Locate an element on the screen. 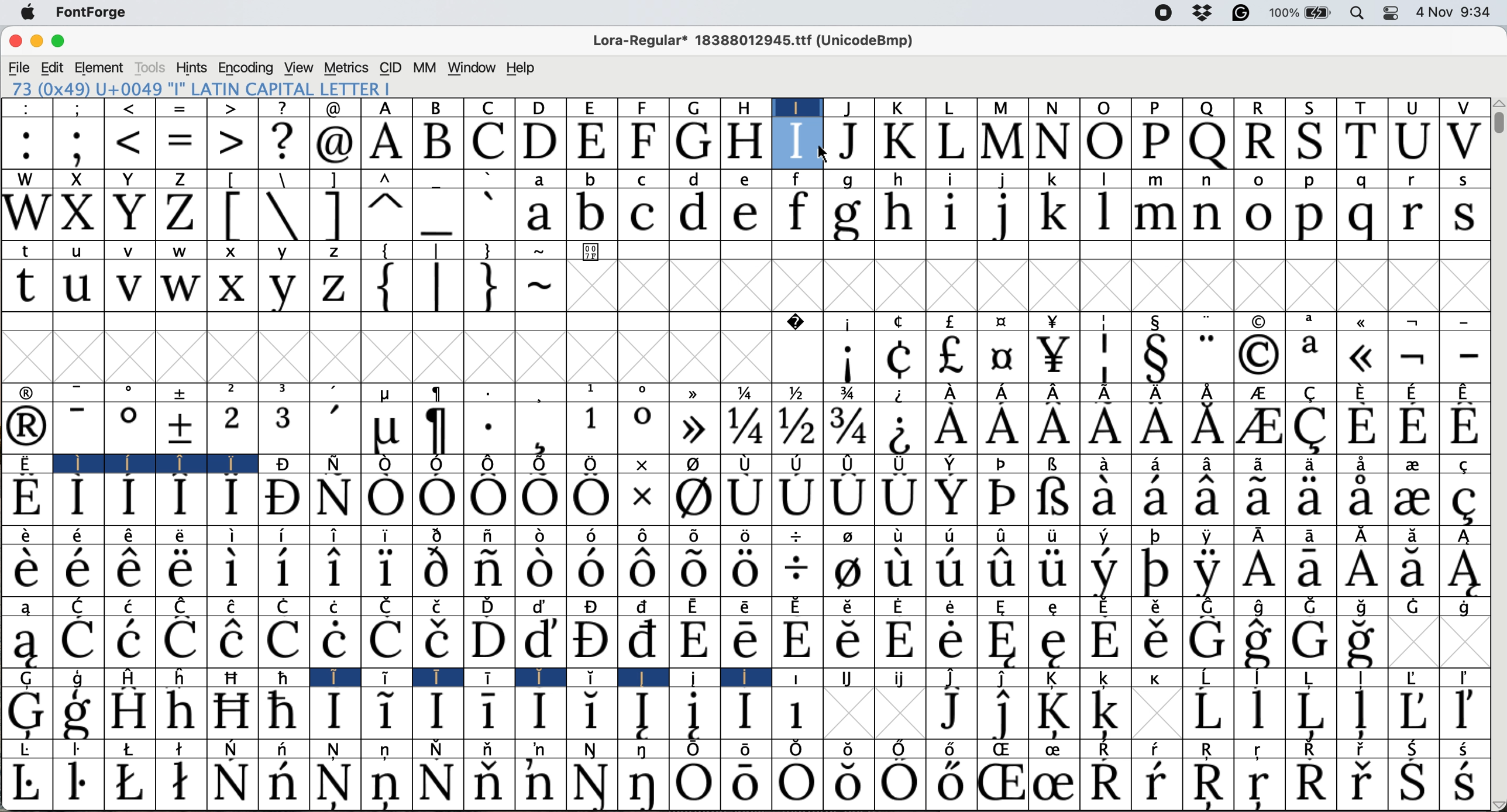  Symbol is located at coordinates (181, 499).